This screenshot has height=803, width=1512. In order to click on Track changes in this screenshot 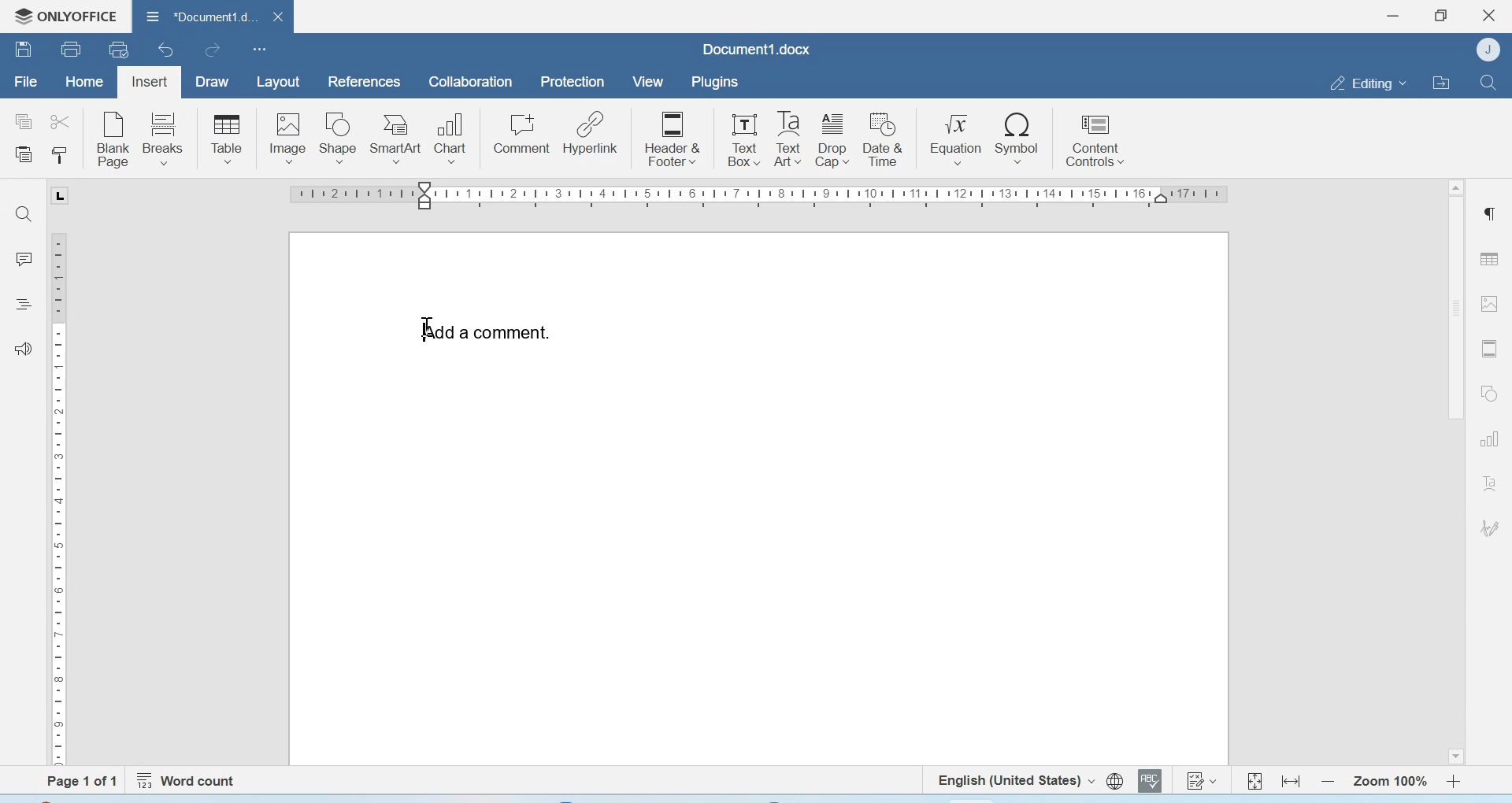, I will do `click(1200, 780)`.